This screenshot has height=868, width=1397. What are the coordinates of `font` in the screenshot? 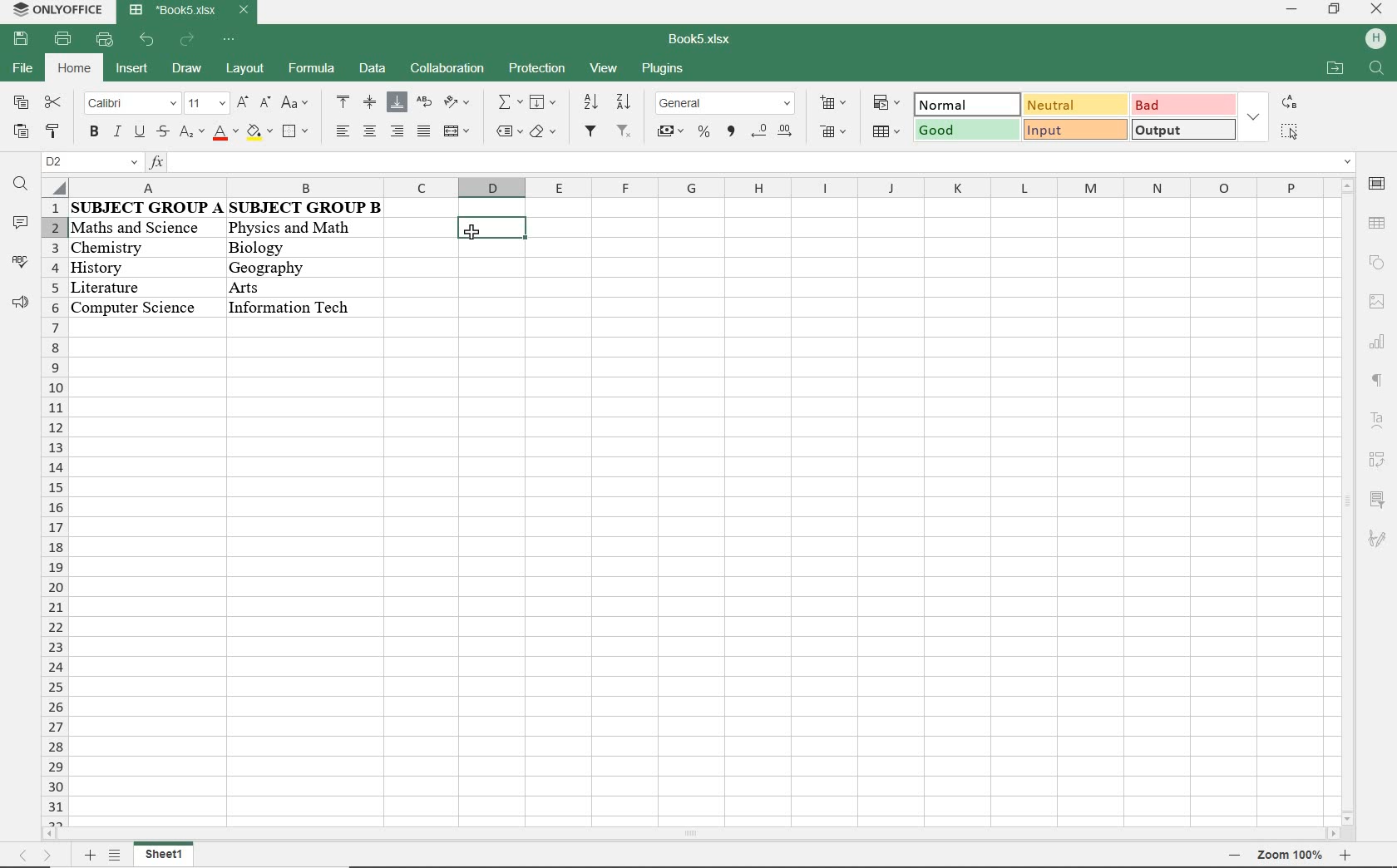 It's located at (131, 105).